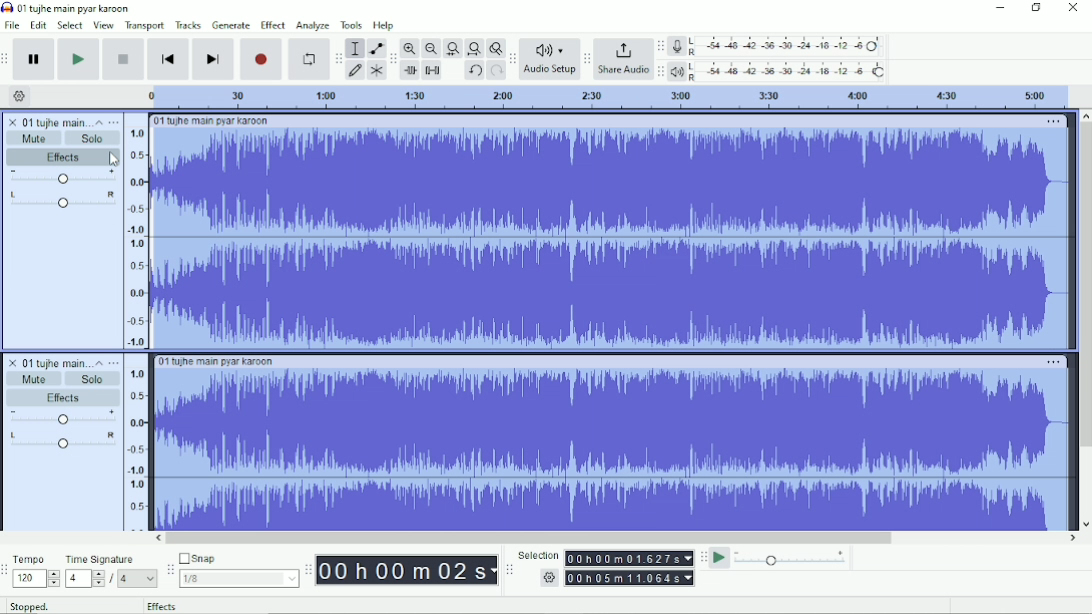 The width and height of the screenshot is (1092, 614). I want to click on soud, so click(133, 236).